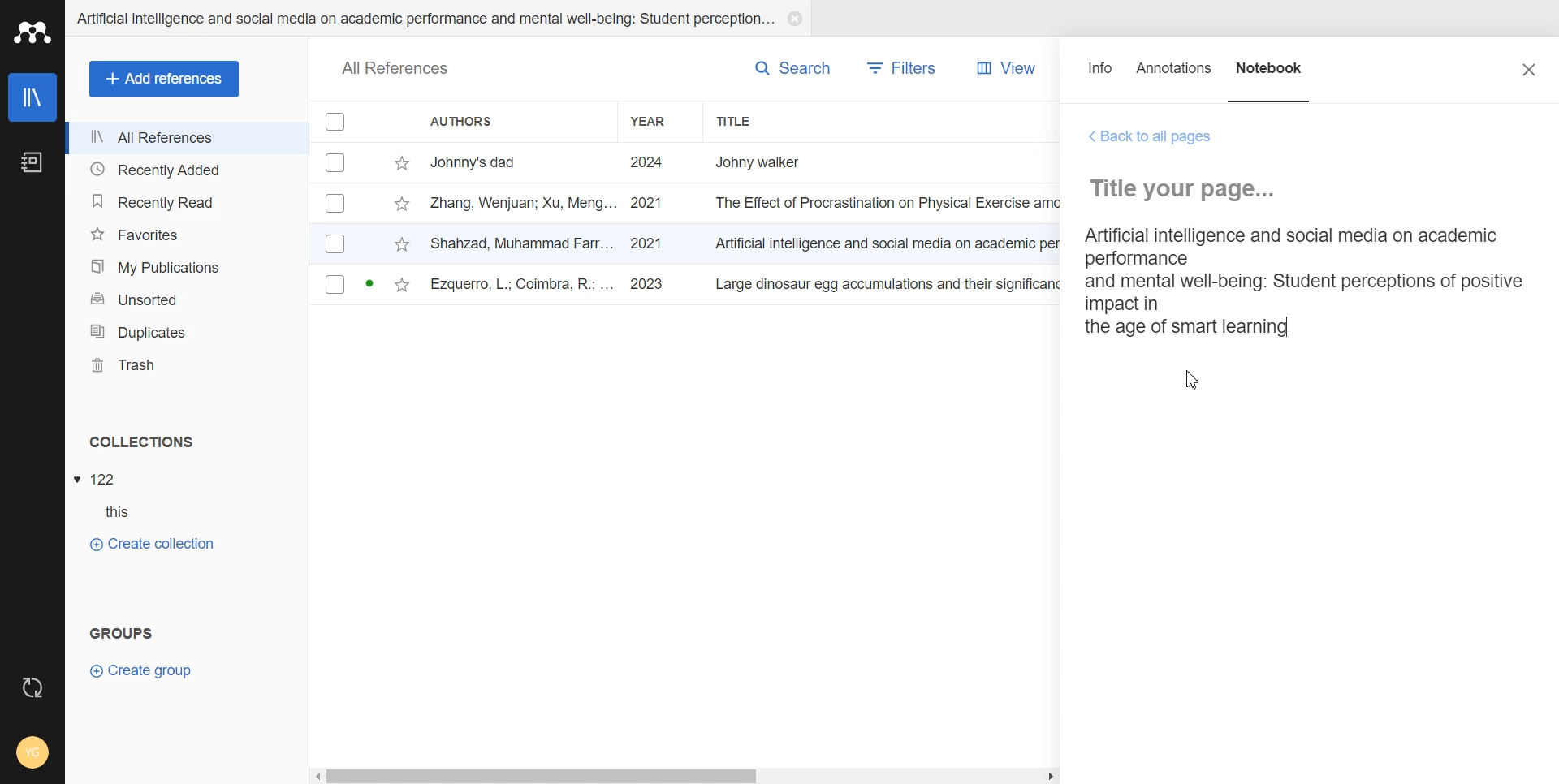 Image resolution: width=1559 pixels, height=784 pixels. I want to click on Info, so click(1101, 75).